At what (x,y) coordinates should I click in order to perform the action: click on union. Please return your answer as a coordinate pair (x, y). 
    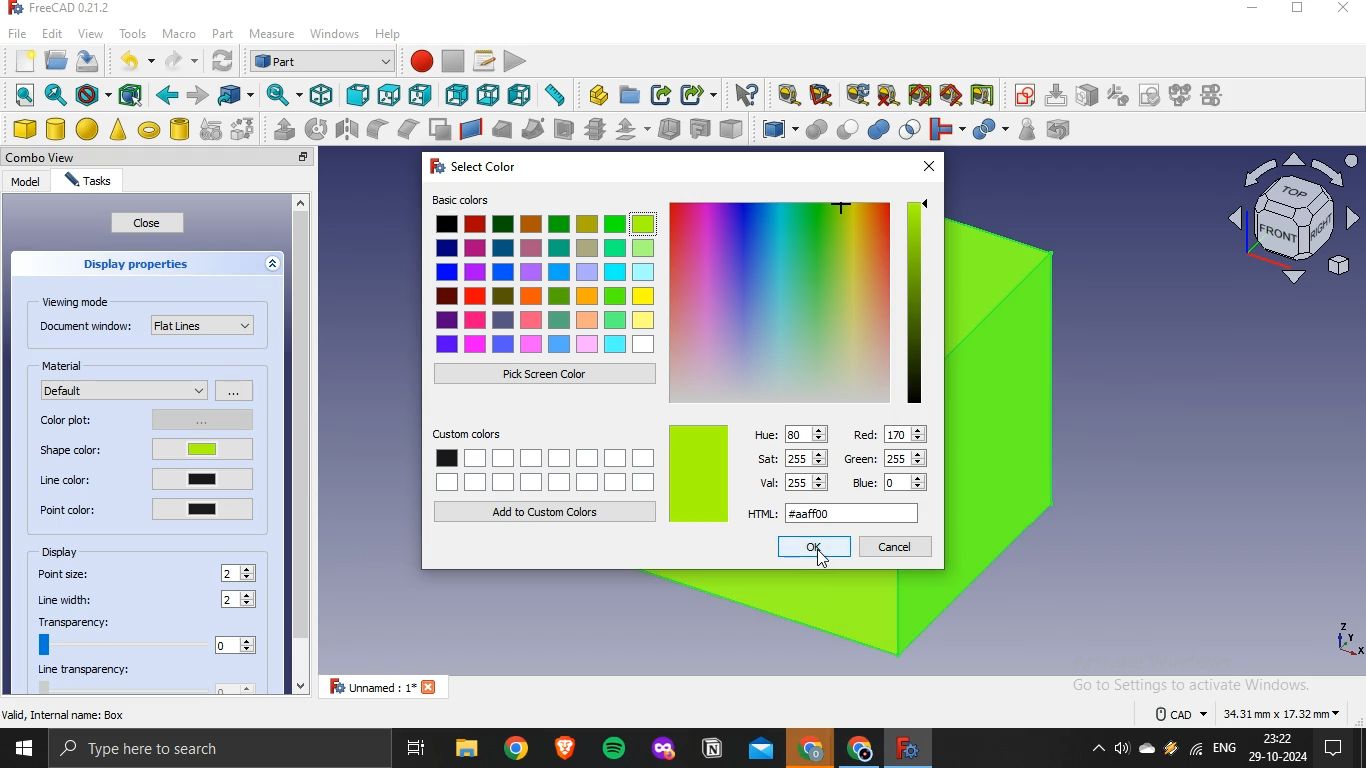
    Looking at the image, I should click on (879, 129).